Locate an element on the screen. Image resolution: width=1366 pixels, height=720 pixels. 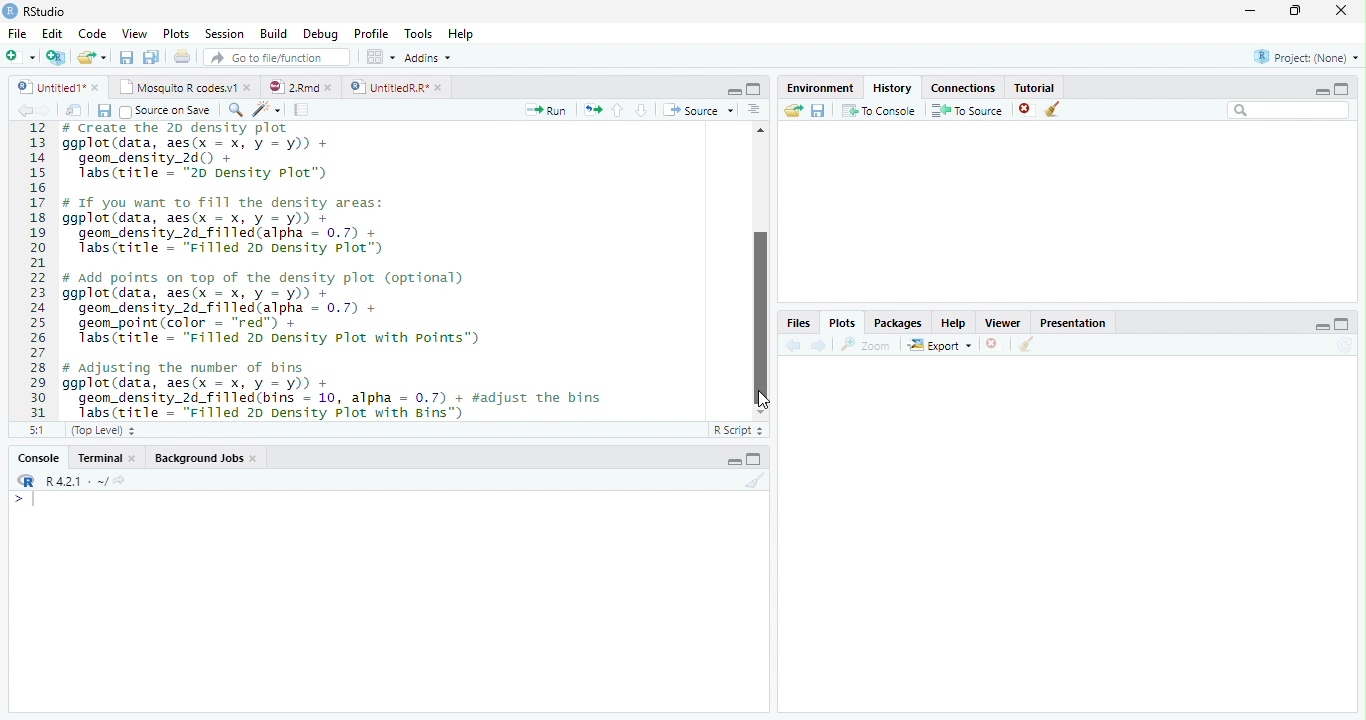
Terminal is located at coordinates (99, 458).